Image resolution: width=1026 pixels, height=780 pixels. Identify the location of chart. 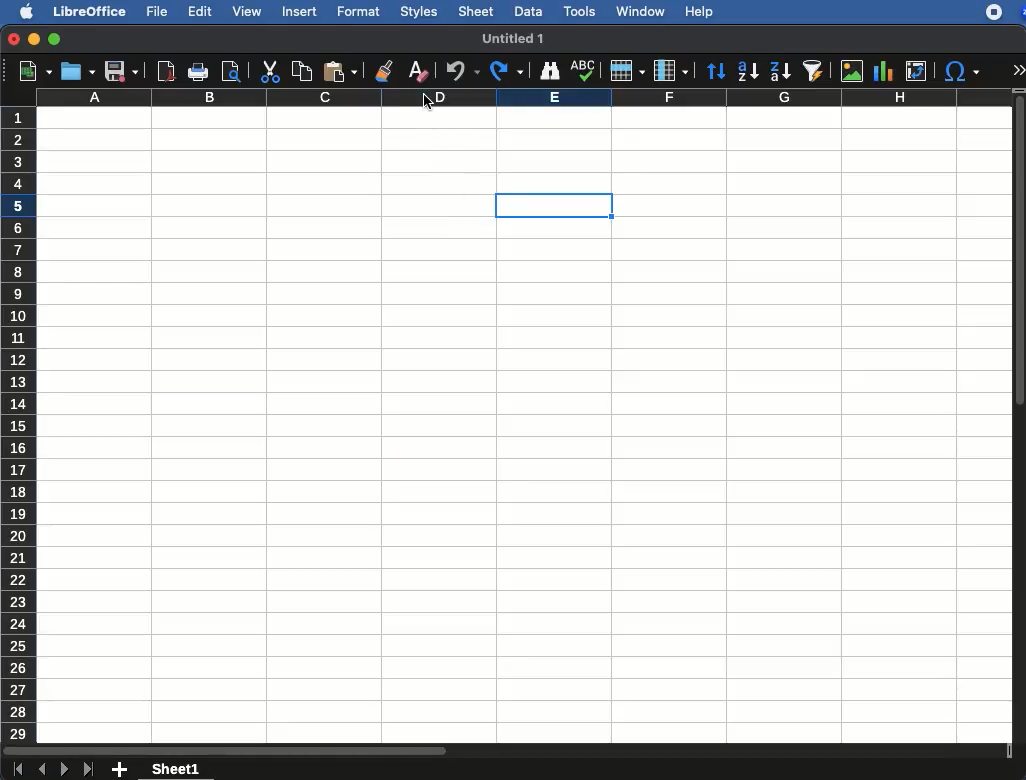
(882, 70).